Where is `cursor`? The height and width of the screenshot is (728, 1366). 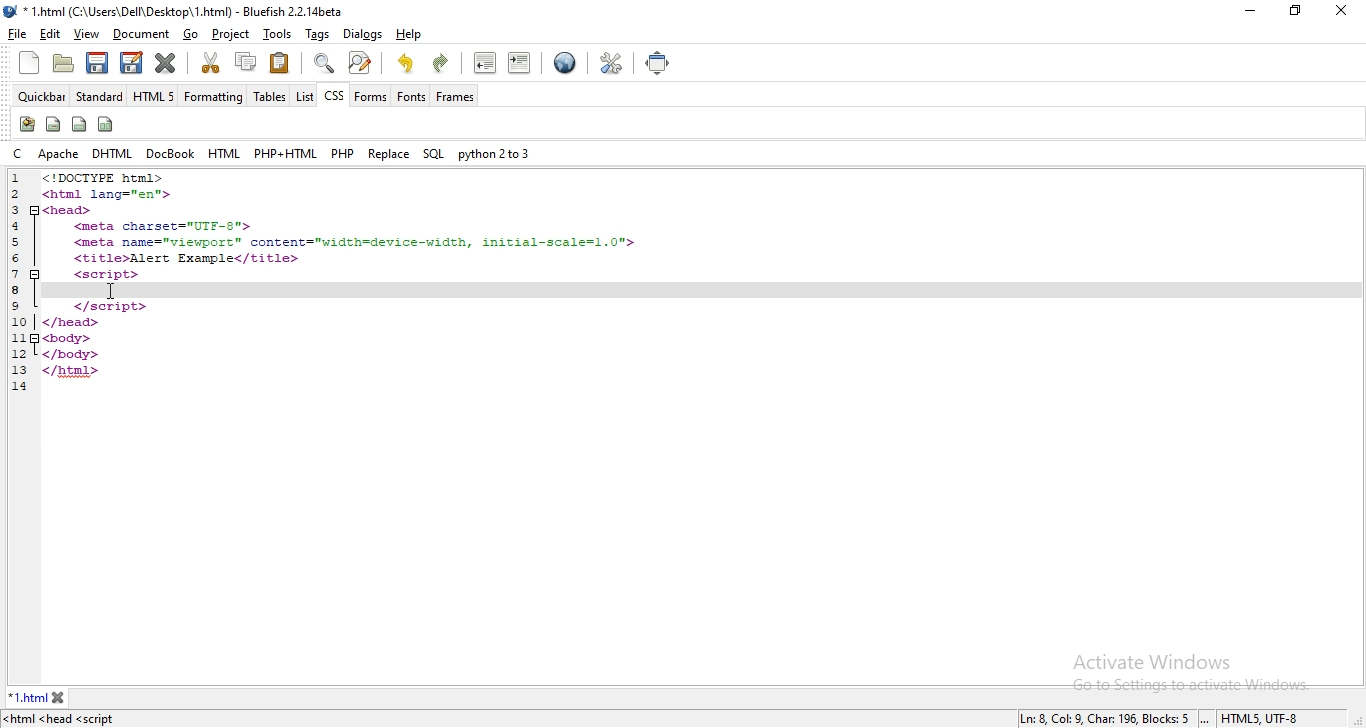
cursor is located at coordinates (111, 290).